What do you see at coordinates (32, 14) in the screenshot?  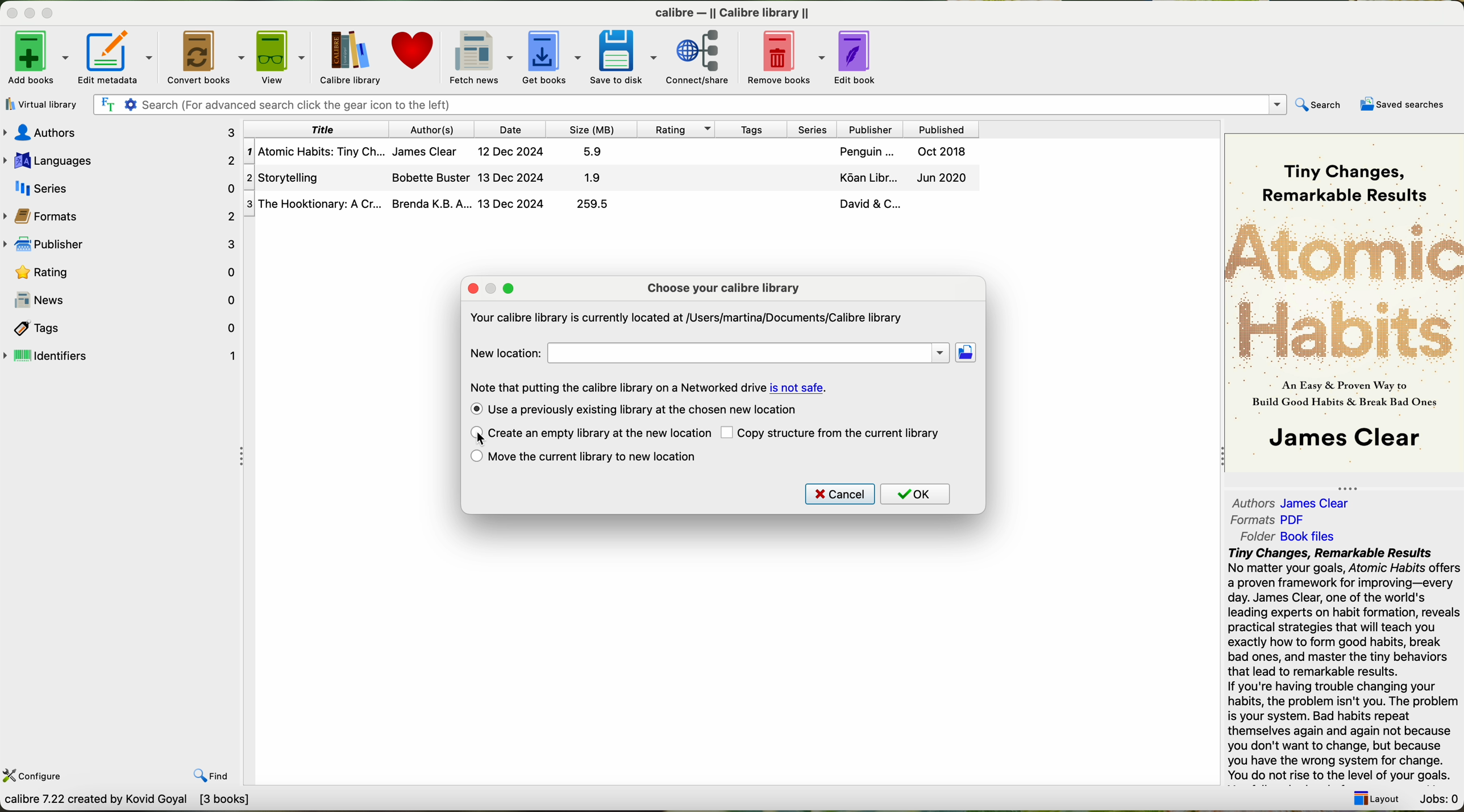 I see `minimize program` at bounding box center [32, 14].